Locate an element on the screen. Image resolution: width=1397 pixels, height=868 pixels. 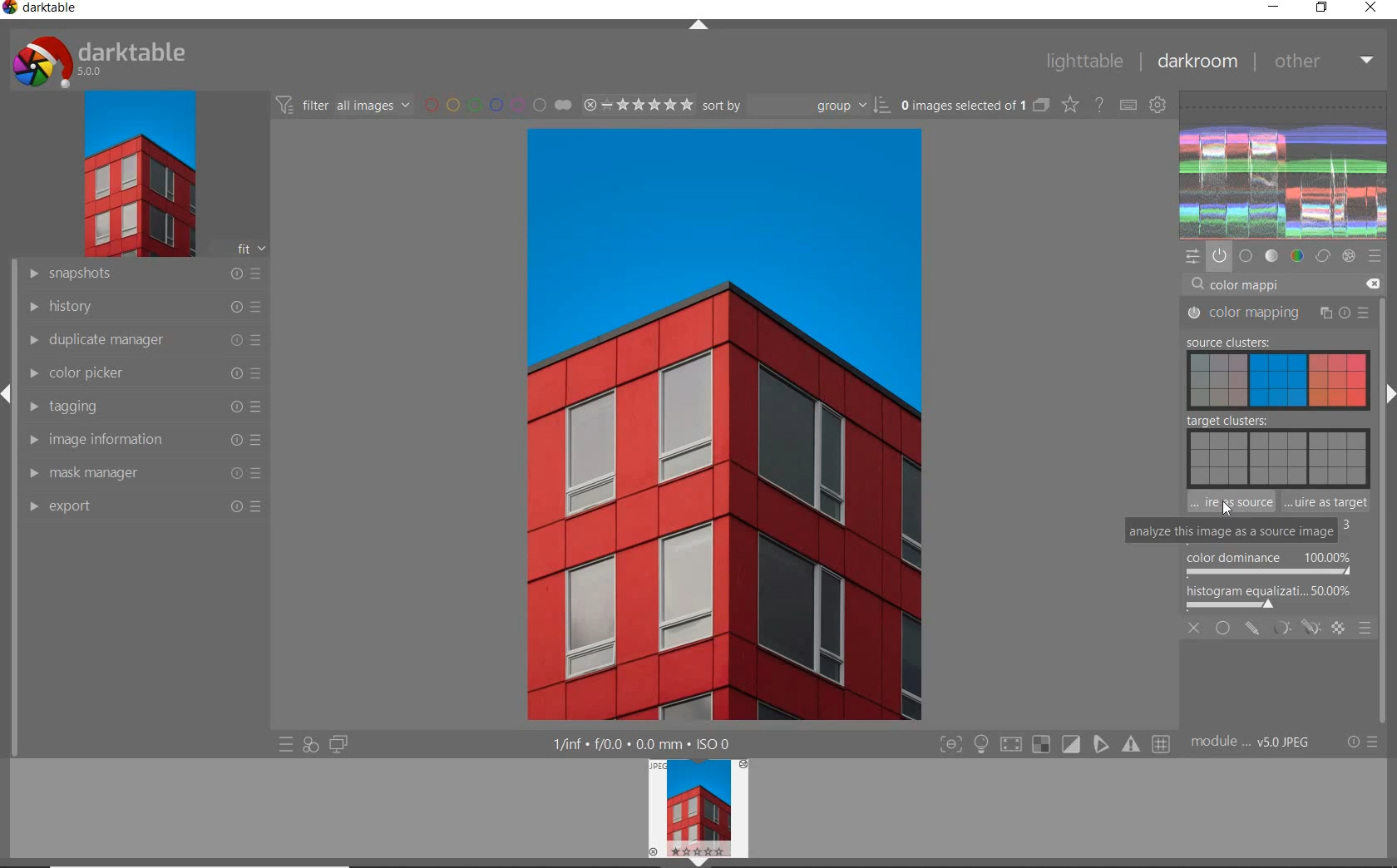
quick access for applying any of your style is located at coordinates (310, 745).